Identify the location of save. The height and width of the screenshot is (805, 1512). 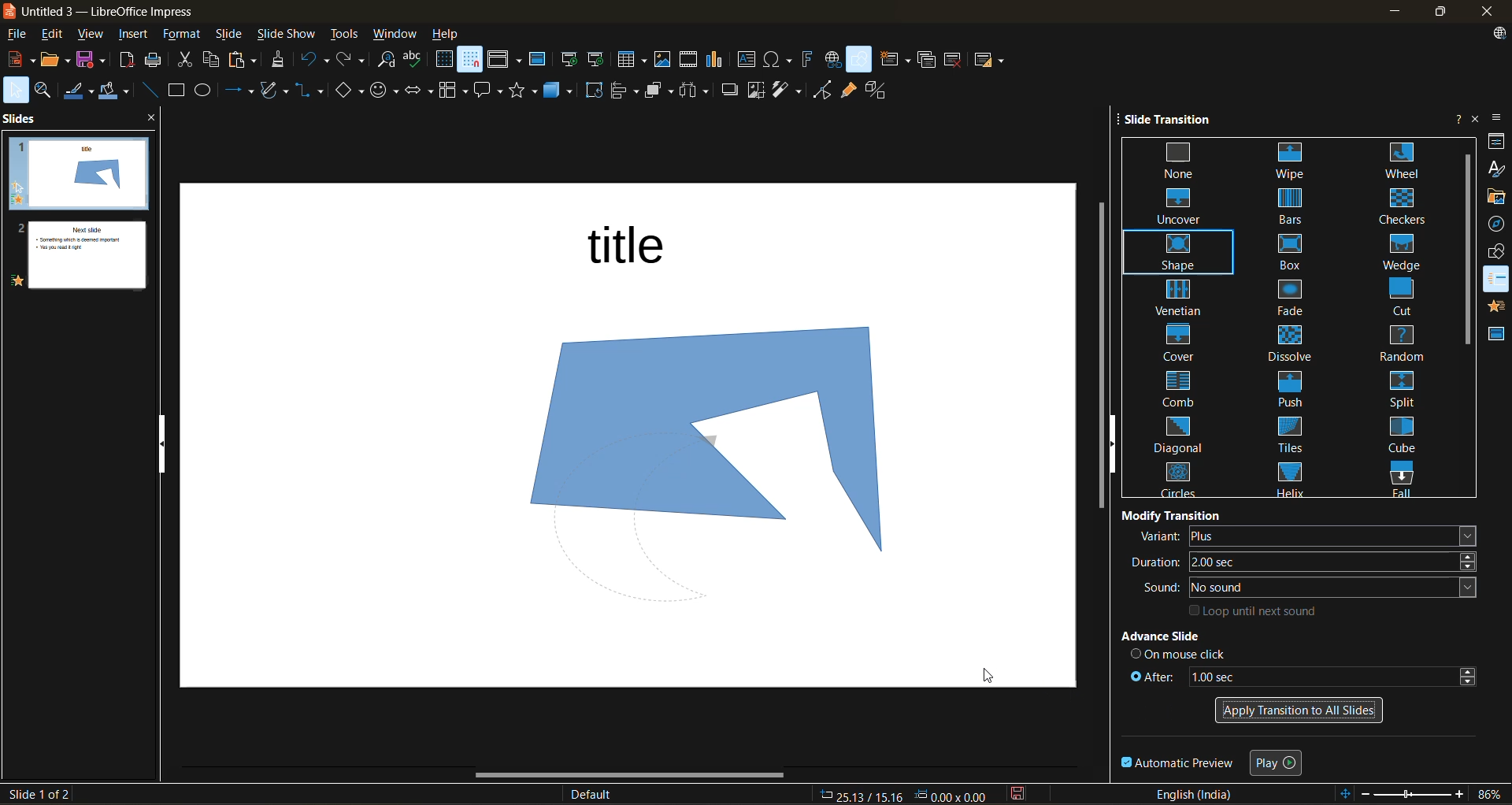
(94, 61).